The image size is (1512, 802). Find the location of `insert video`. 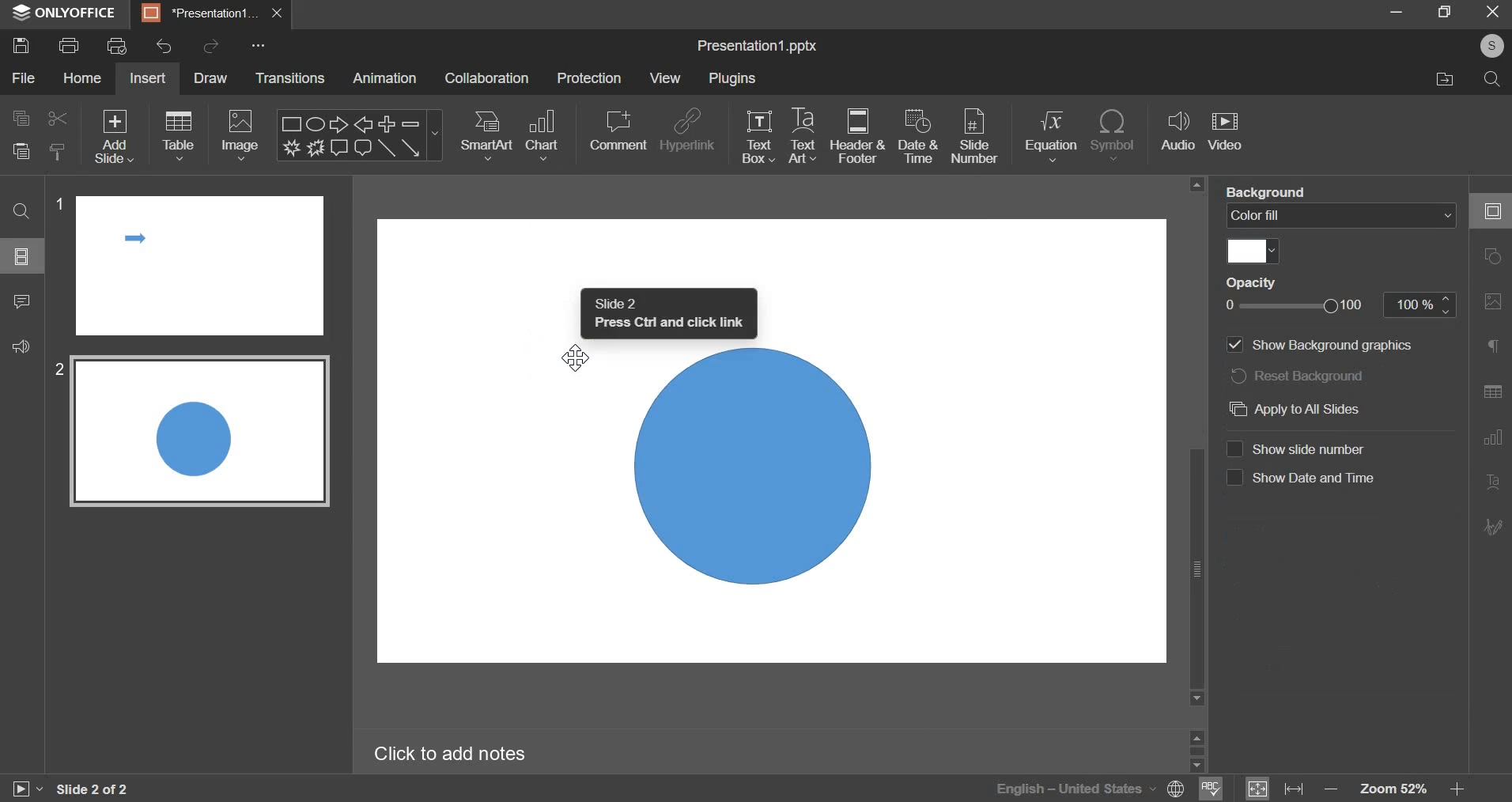

insert video is located at coordinates (1227, 136).